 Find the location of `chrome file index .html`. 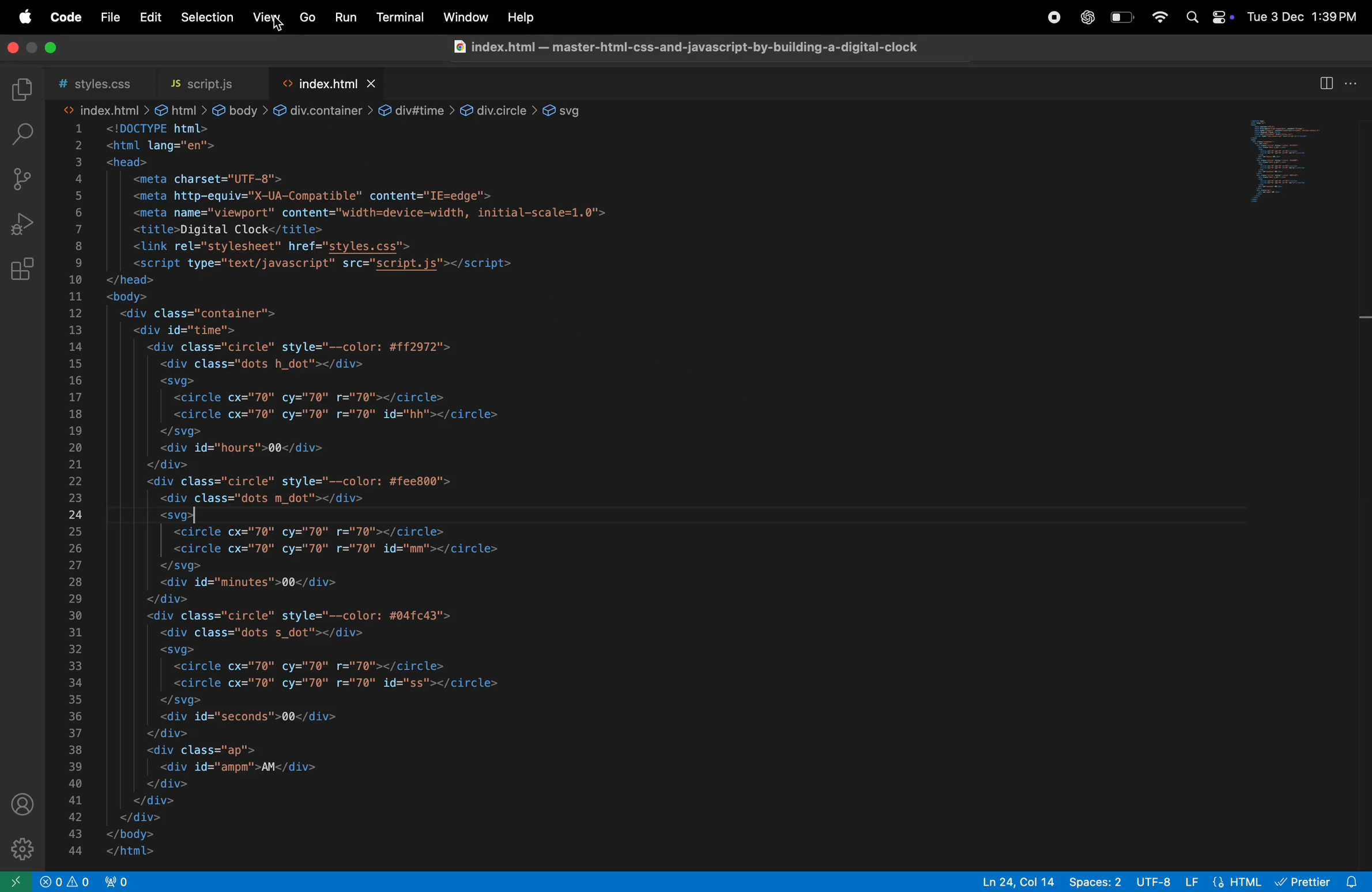

chrome file index .html is located at coordinates (680, 50).